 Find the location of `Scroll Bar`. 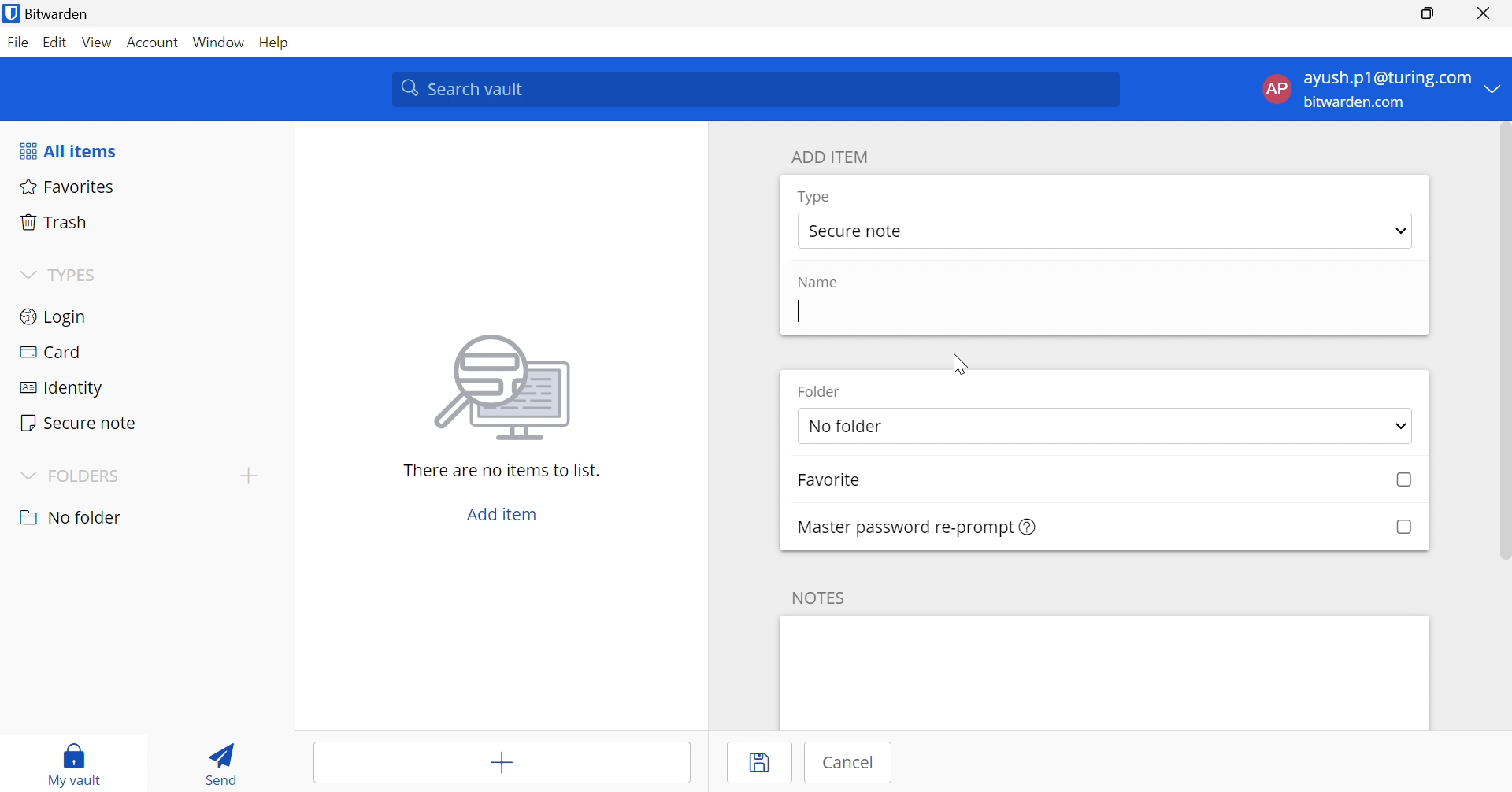

Scroll Bar is located at coordinates (1503, 344).